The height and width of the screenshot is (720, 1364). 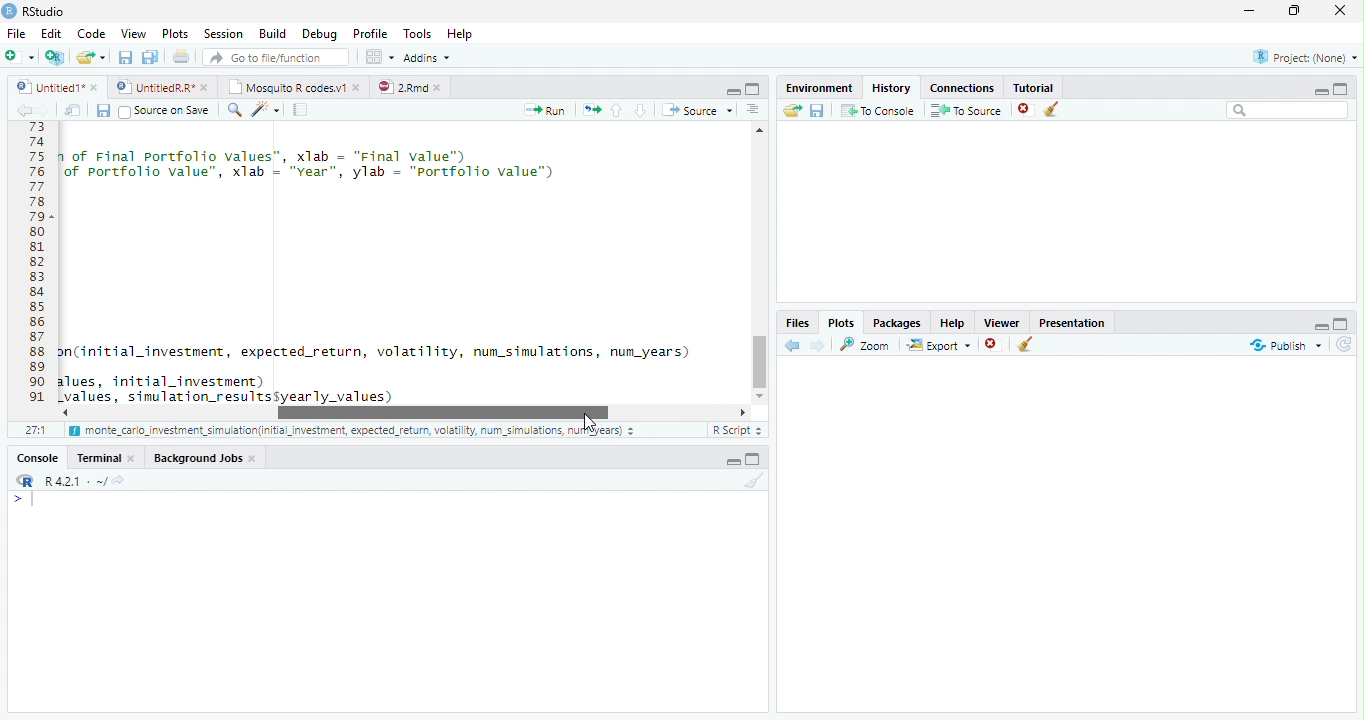 I want to click on Export, so click(x=937, y=345).